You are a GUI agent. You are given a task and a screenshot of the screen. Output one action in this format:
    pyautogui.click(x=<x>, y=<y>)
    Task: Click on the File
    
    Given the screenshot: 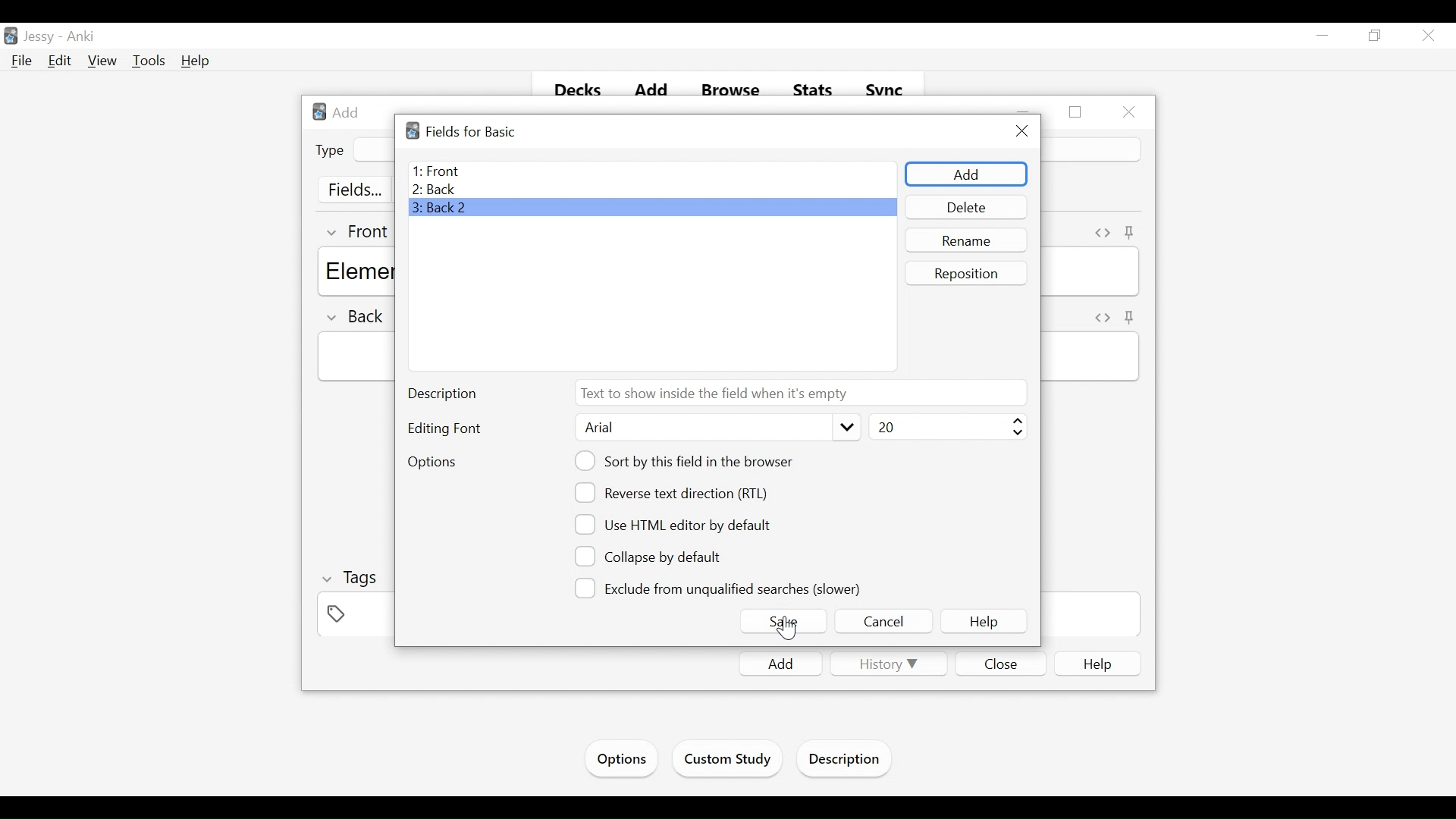 What is the action you would take?
    pyautogui.click(x=22, y=61)
    